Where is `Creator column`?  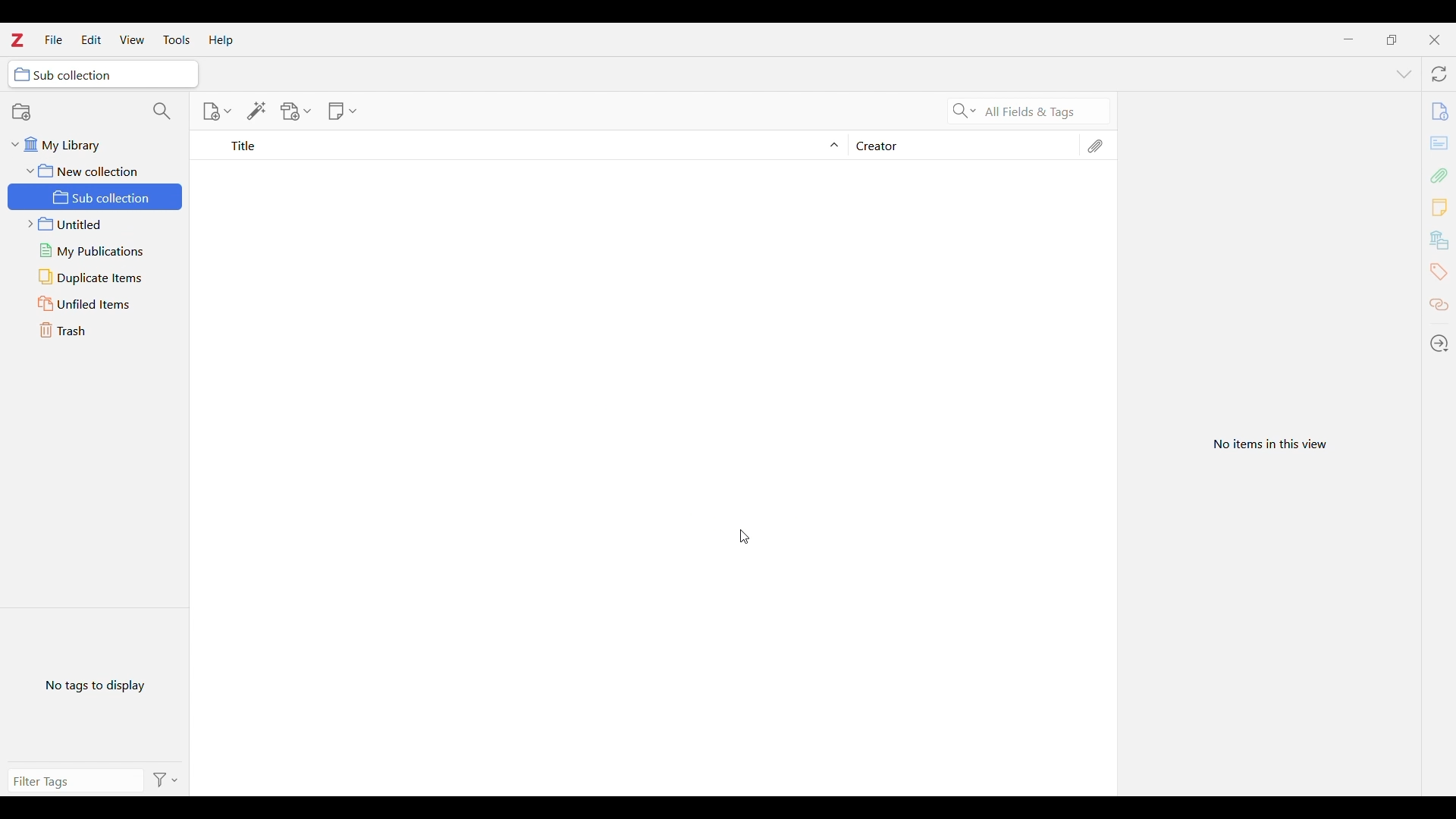
Creator column is located at coordinates (960, 145).